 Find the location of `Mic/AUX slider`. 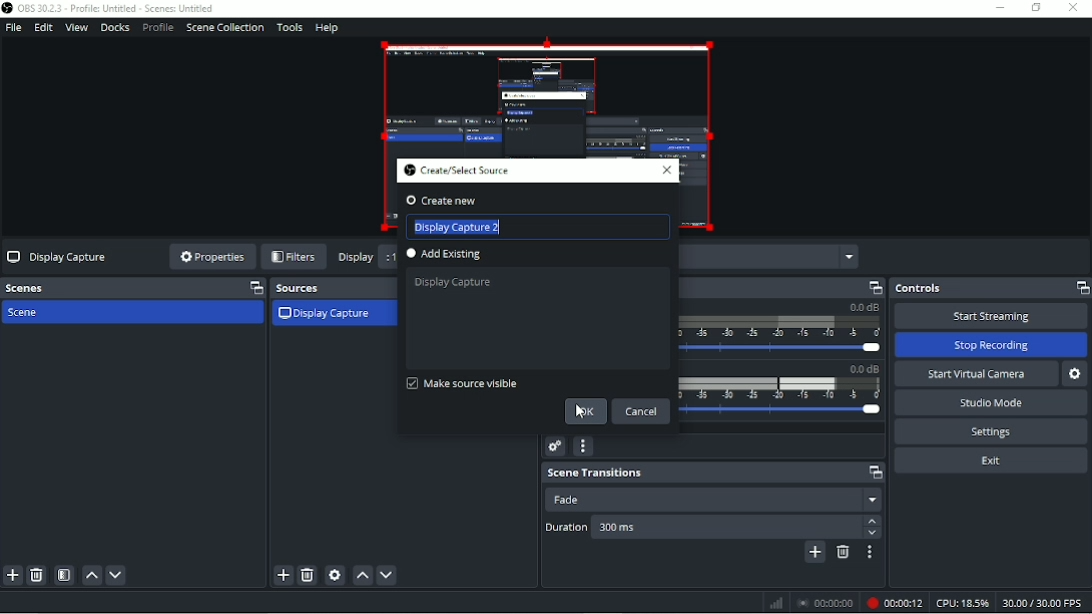

Mic/AUX slider is located at coordinates (784, 393).